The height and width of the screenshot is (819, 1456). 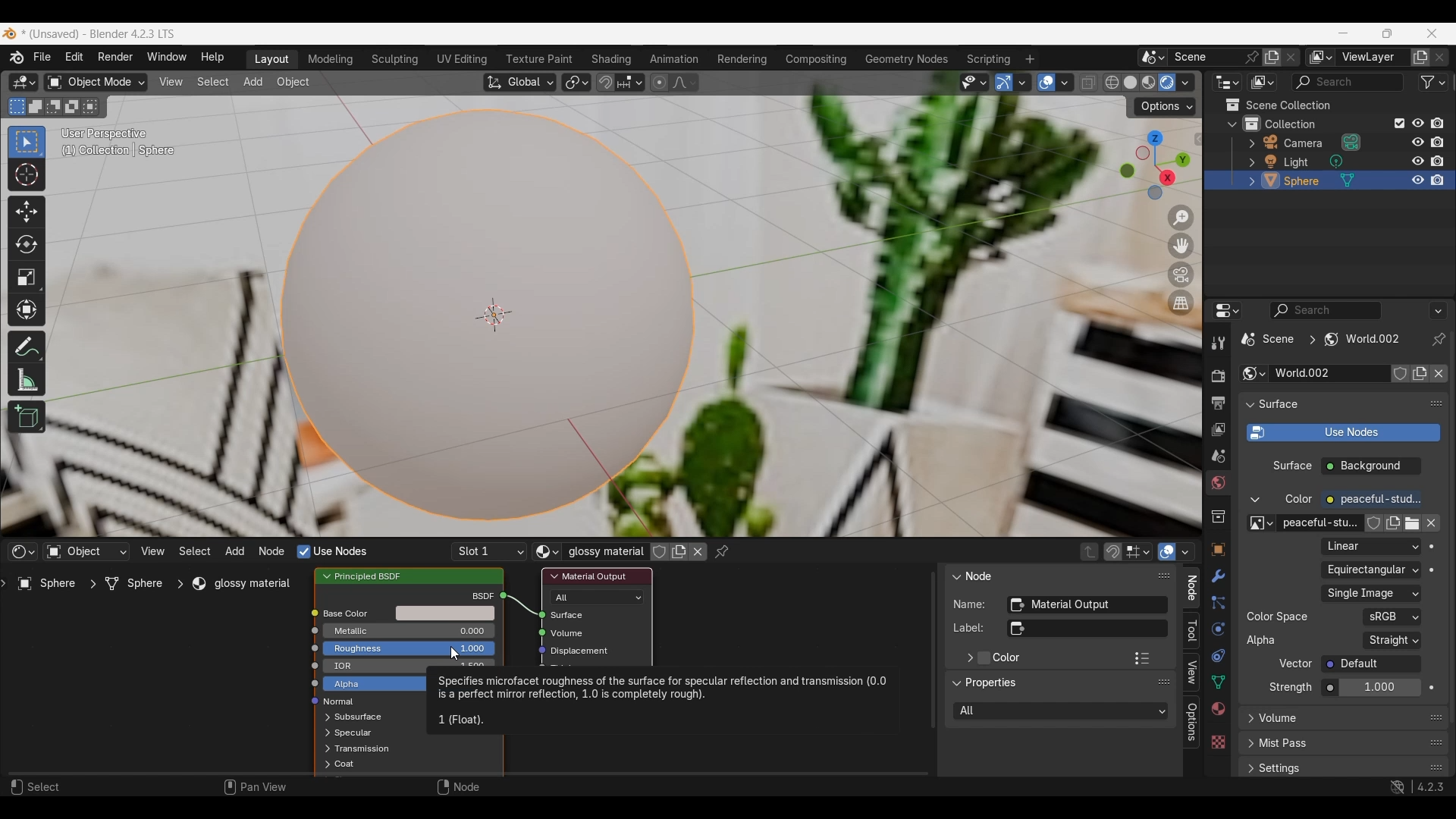 I want to click on icon, so click(x=310, y=703).